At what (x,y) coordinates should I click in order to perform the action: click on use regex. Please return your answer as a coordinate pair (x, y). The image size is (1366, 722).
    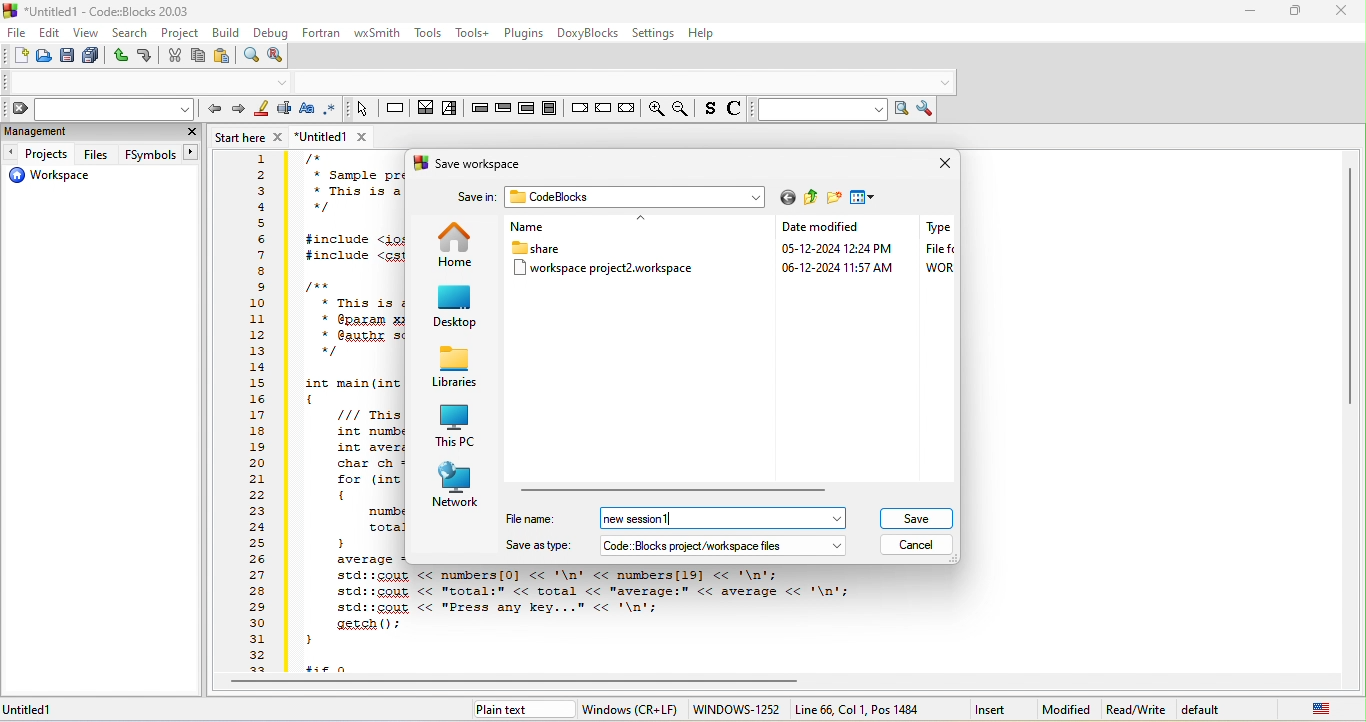
    Looking at the image, I should click on (332, 109).